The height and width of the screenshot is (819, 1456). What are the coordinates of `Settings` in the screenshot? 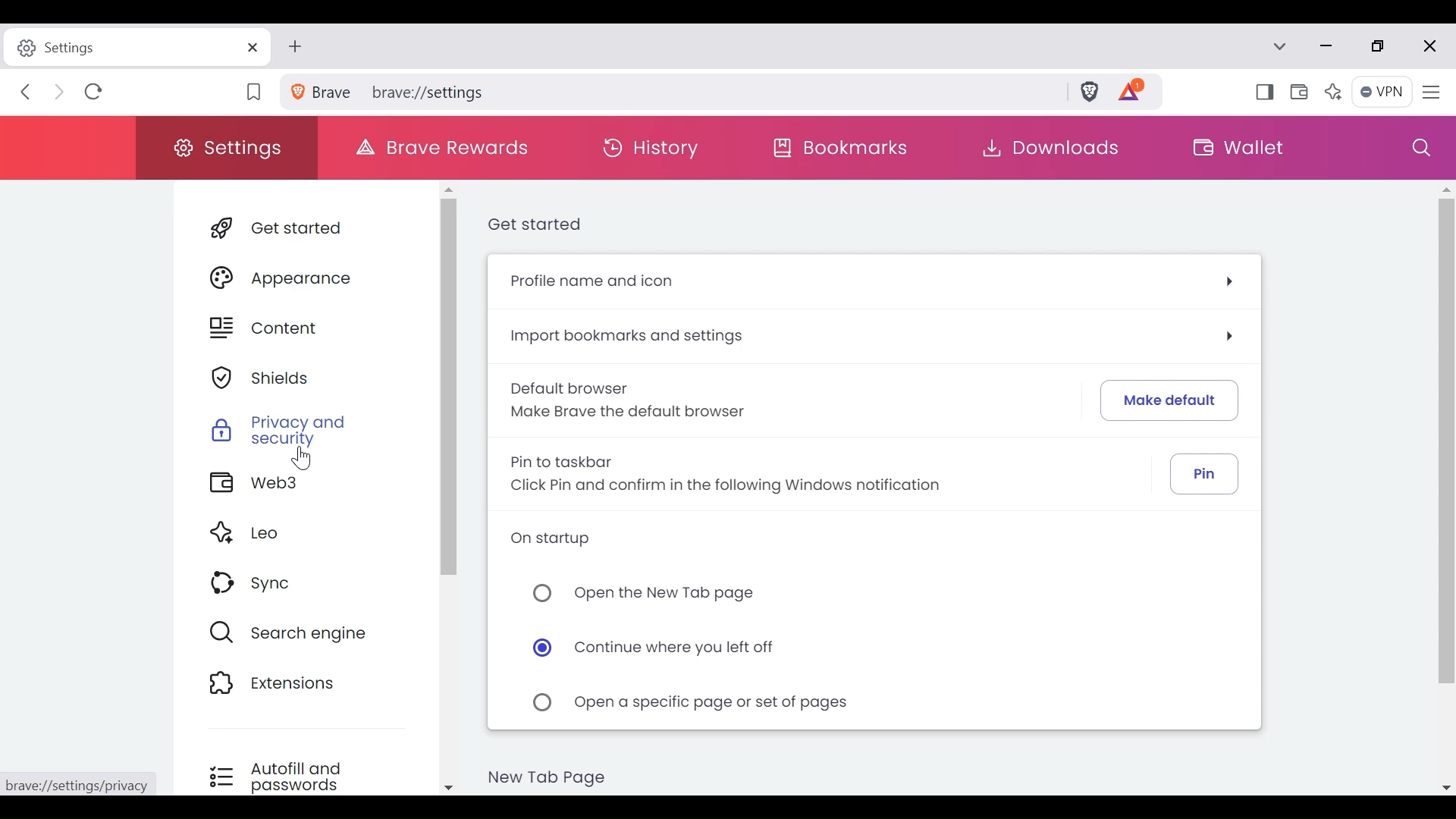 It's located at (228, 147).